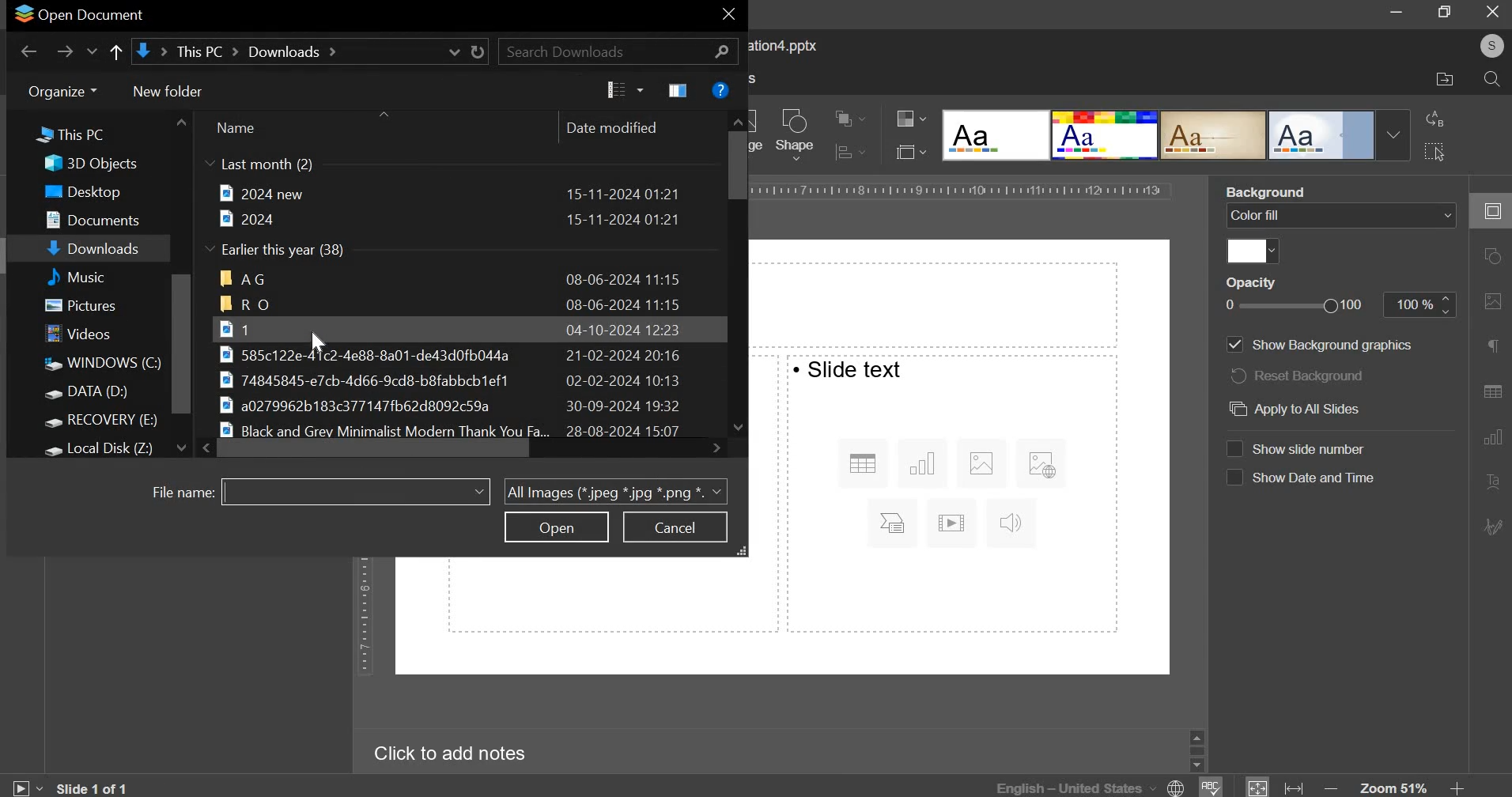 The image size is (1512, 797). I want to click on design, so click(1215, 136).